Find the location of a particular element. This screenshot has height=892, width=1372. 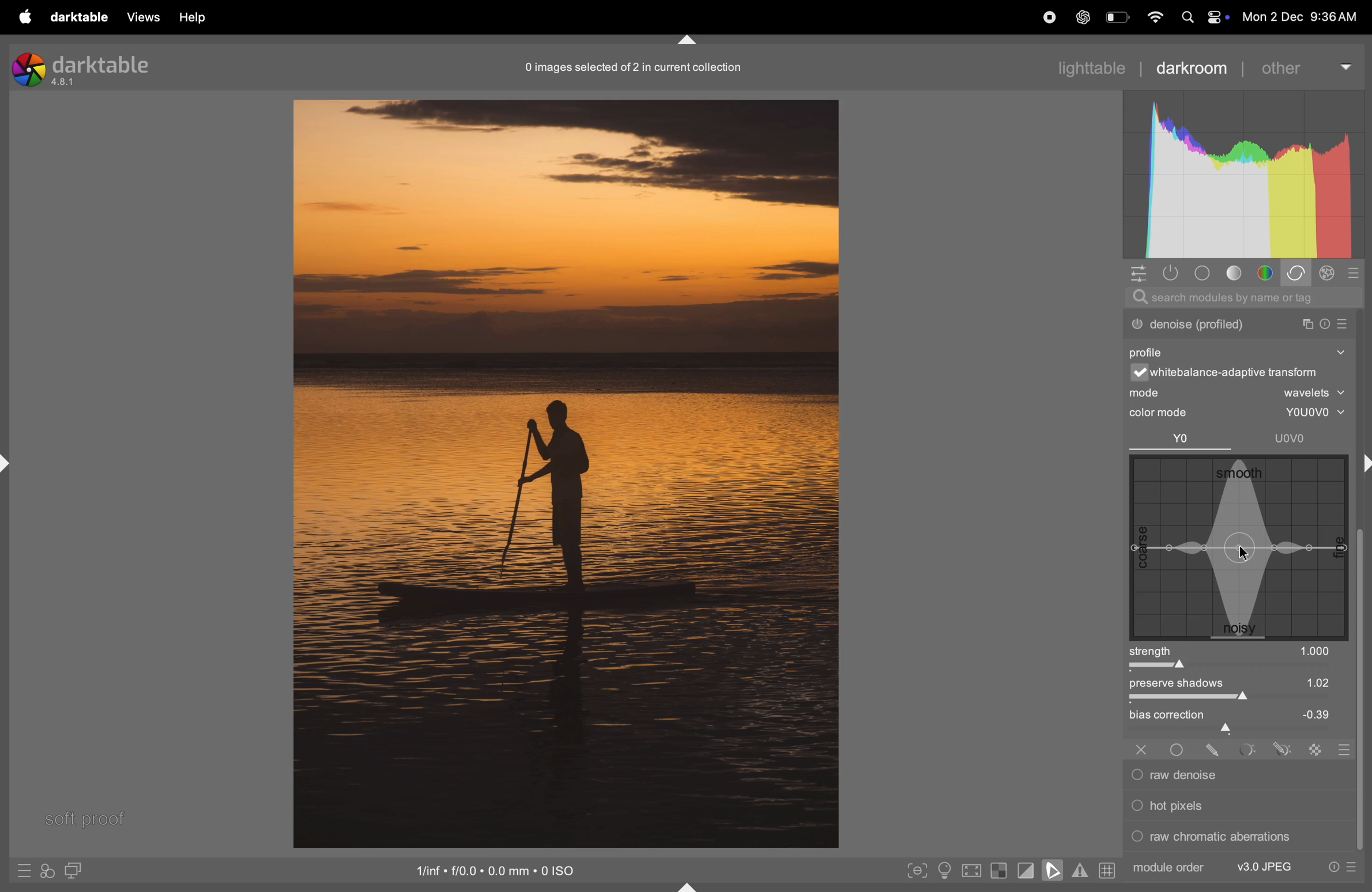

apple menu is located at coordinates (18, 17).